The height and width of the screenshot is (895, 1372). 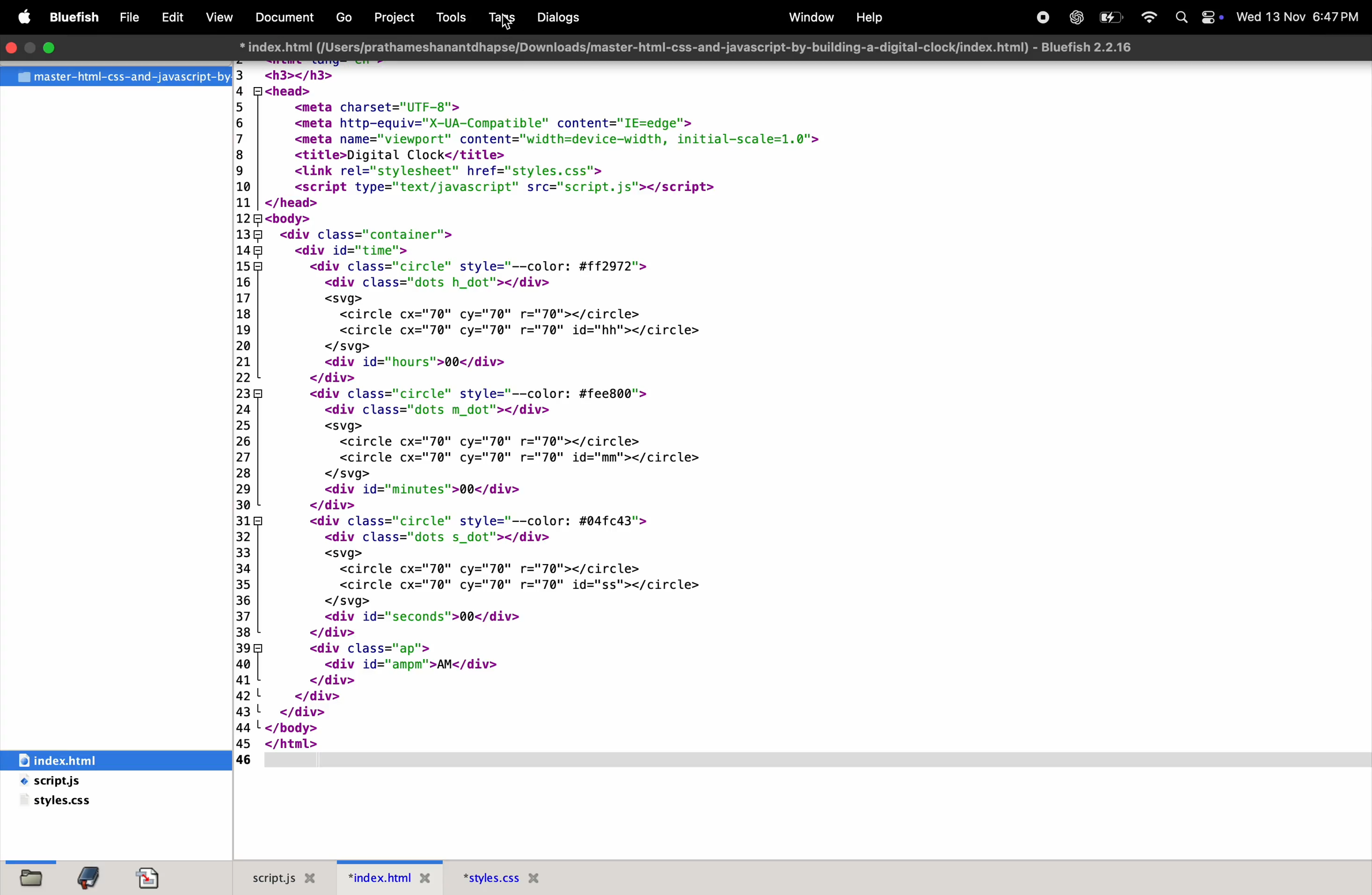 I want to click on dialogs, so click(x=574, y=16).